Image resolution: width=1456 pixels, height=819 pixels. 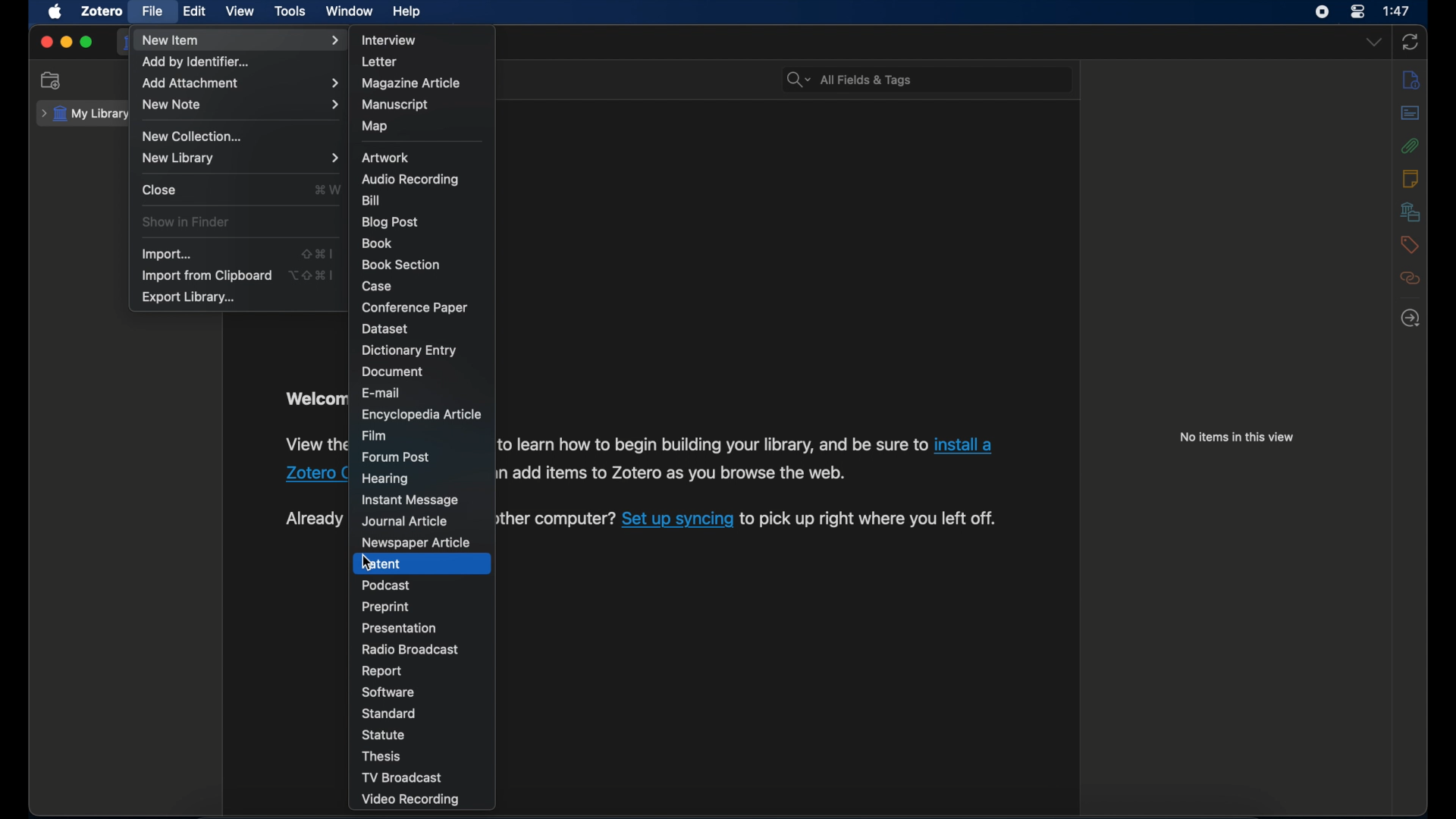 I want to click on book, so click(x=379, y=243).